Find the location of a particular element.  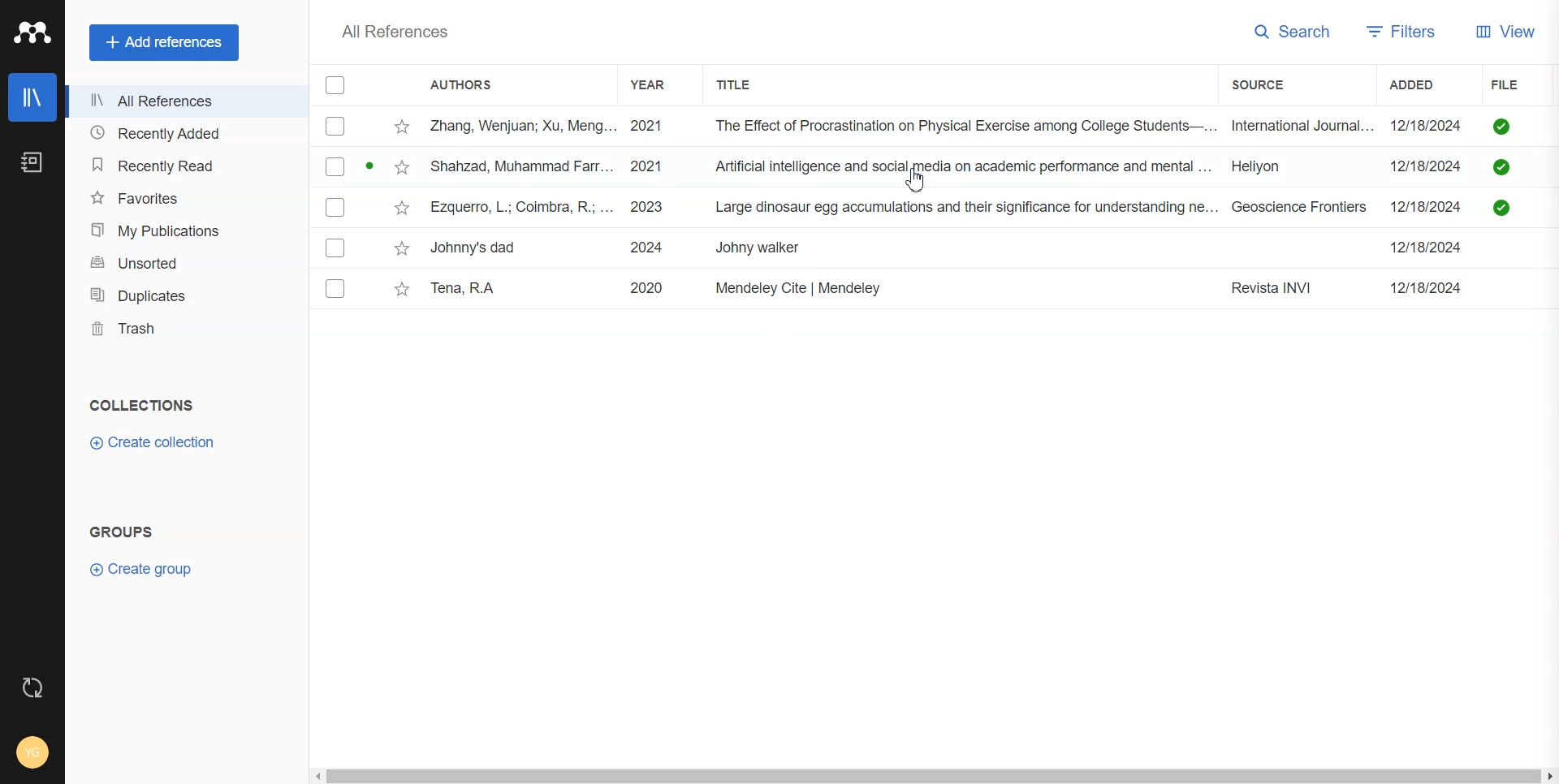

Authors is located at coordinates (470, 84).